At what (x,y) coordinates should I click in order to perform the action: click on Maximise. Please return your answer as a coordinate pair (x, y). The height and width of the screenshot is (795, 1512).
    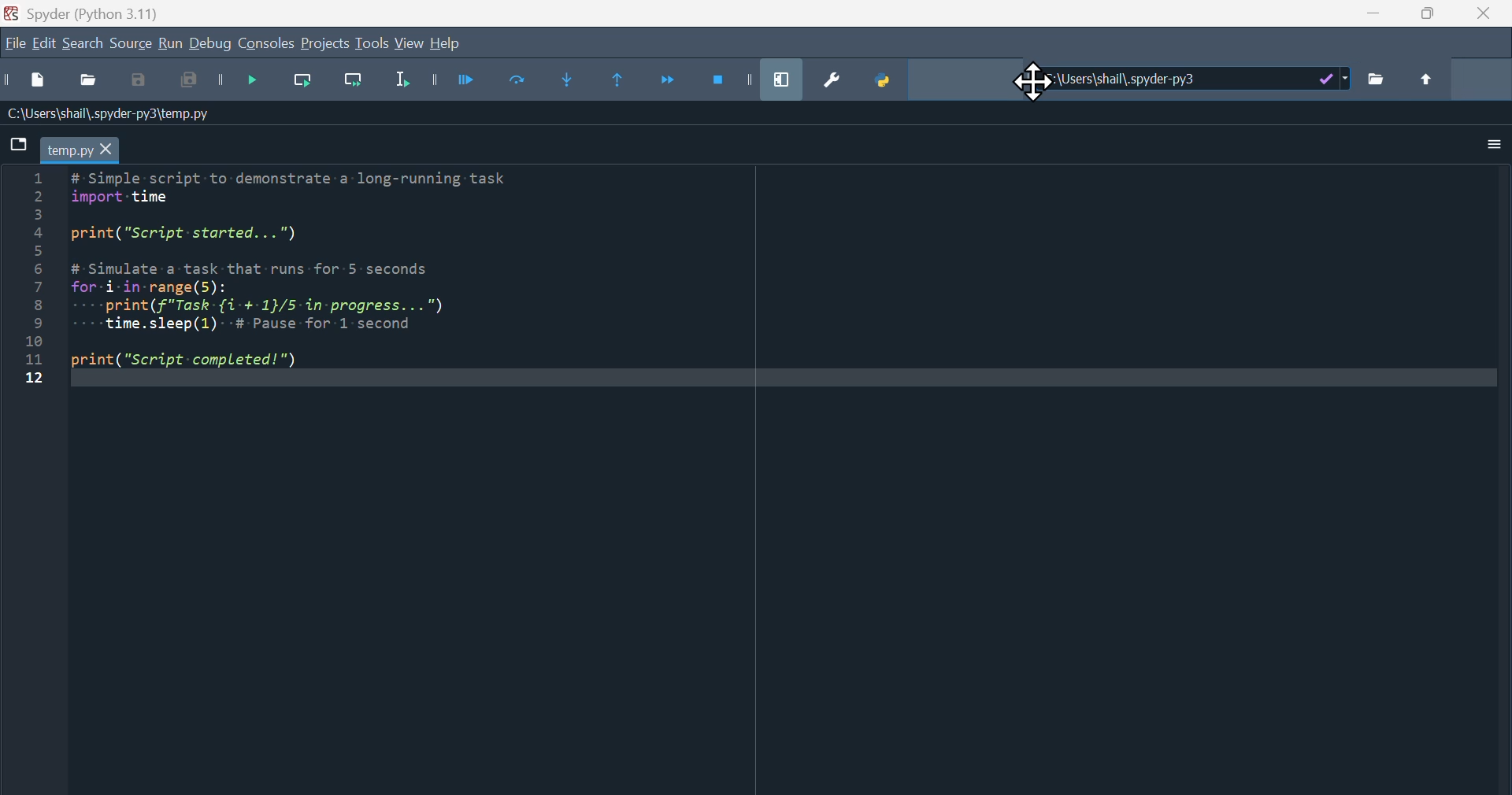
    Looking at the image, I should click on (1430, 18).